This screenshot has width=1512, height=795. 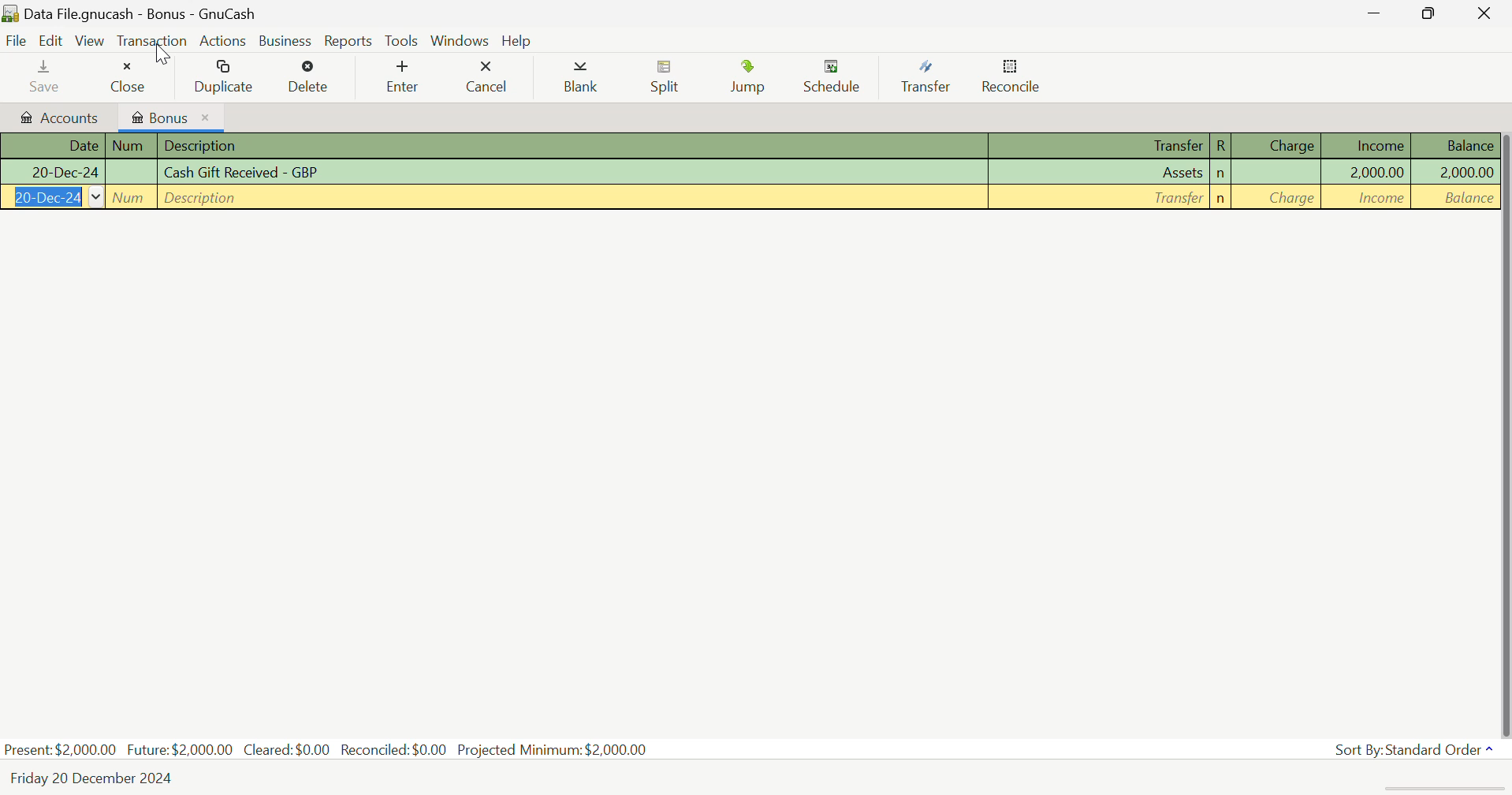 What do you see at coordinates (574, 147) in the screenshot?
I see `Description` at bounding box center [574, 147].